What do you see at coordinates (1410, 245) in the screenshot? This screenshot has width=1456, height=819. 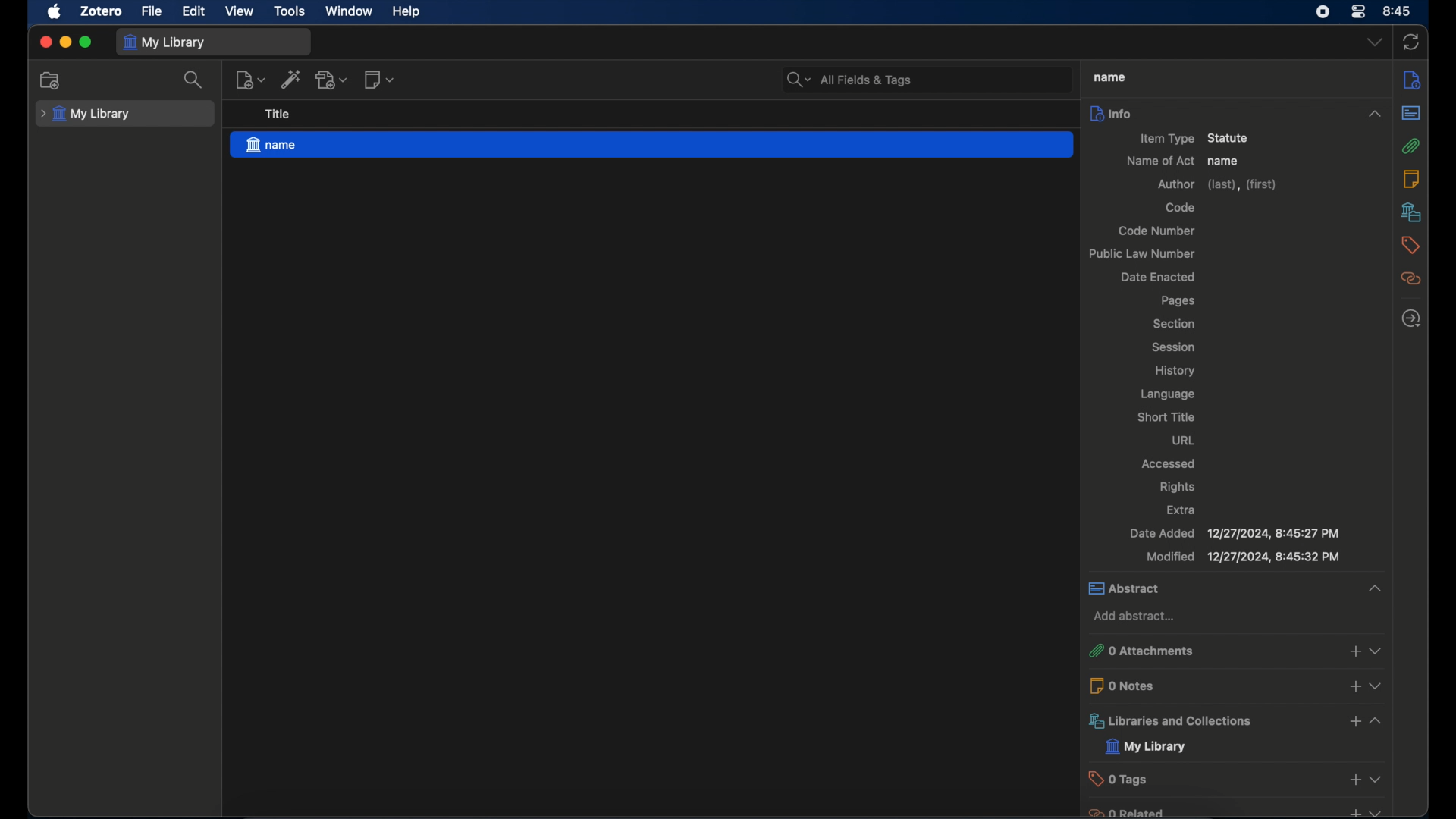 I see `tags` at bounding box center [1410, 245].